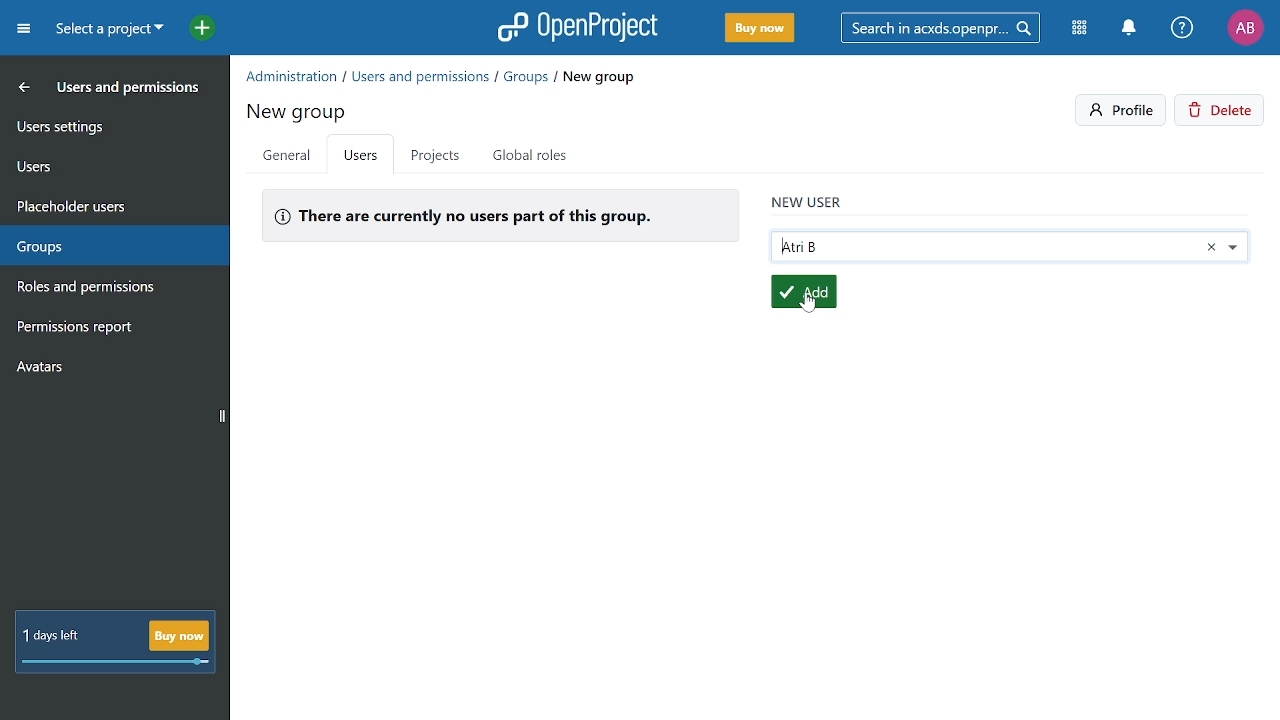  Describe the element at coordinates (947, 27) in the screenshot. I see `Search` at that location.